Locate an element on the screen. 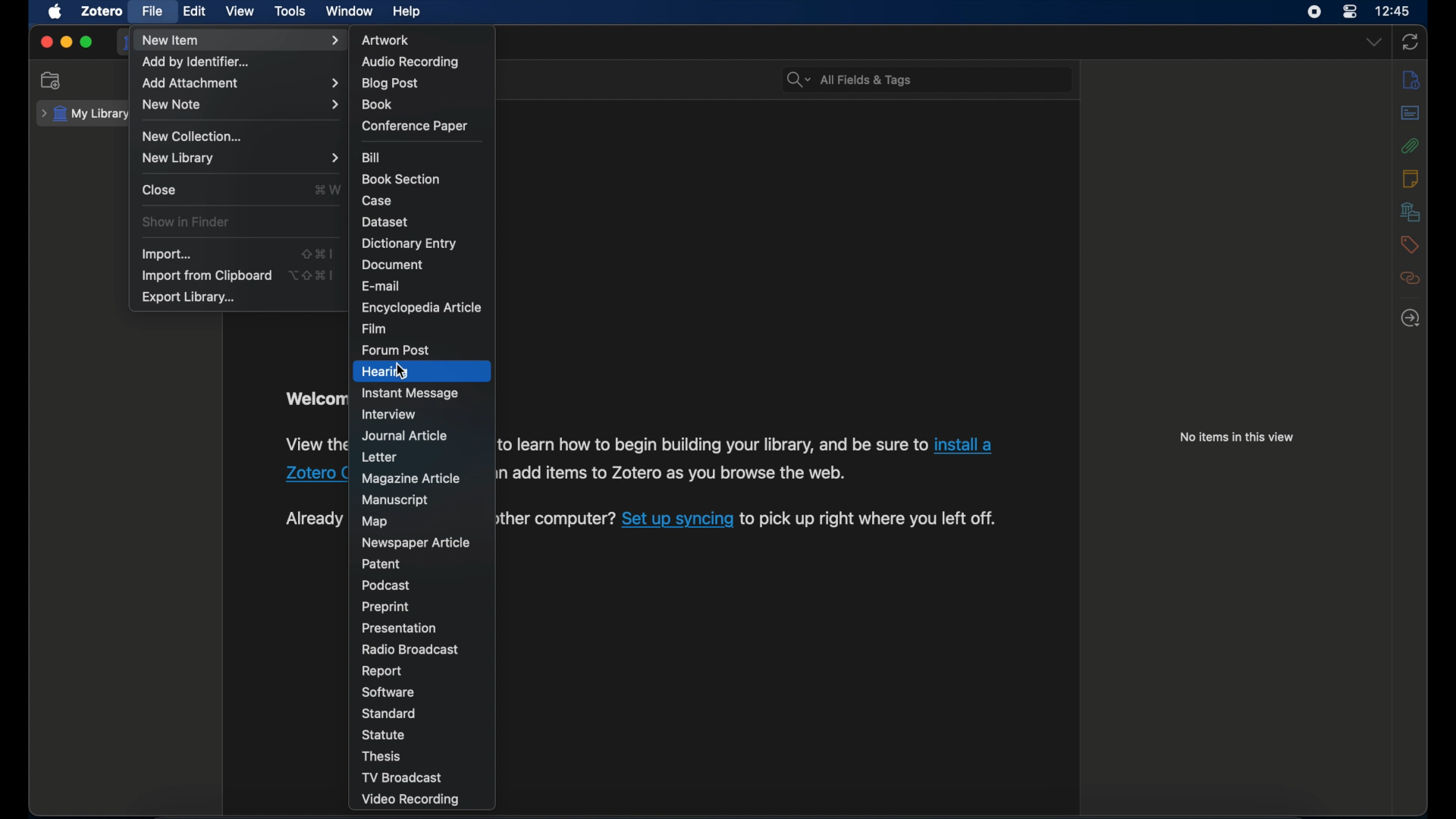 Image resolution: width=1456 pixels, height=819 pixels. bill is located at coordinates (372, 157).